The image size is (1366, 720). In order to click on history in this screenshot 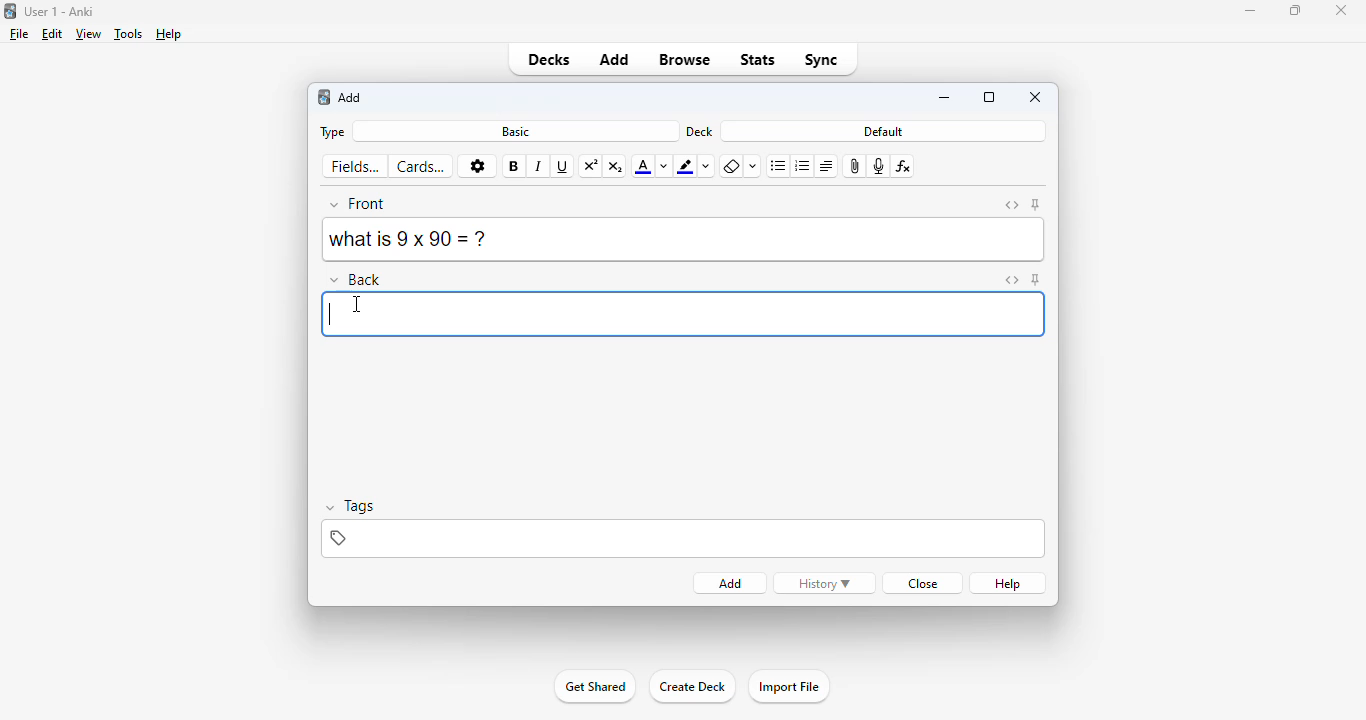, I will do `click(824, 583)`.